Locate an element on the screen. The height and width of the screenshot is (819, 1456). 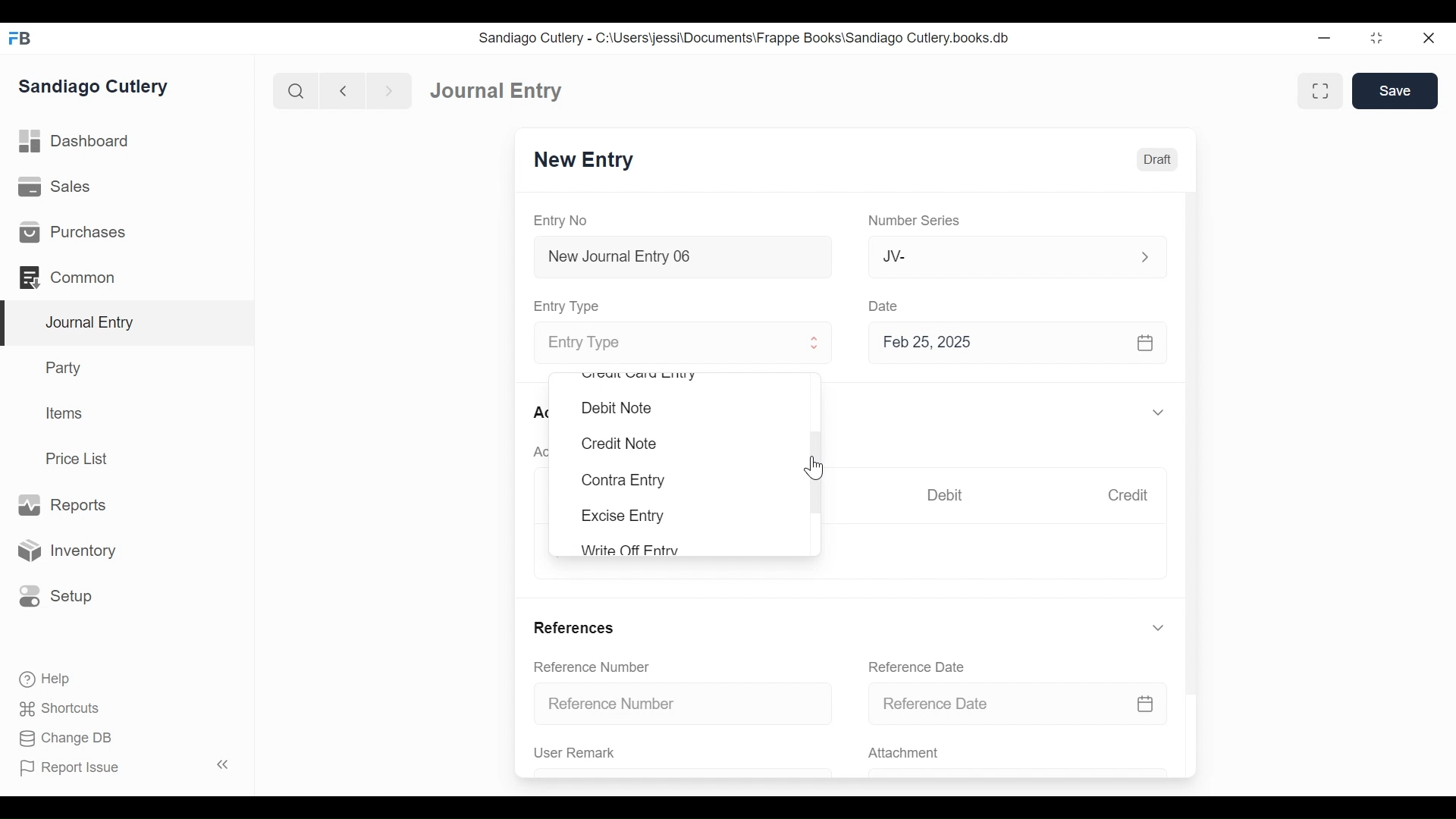
Reports is located at coordinates (61, 506).